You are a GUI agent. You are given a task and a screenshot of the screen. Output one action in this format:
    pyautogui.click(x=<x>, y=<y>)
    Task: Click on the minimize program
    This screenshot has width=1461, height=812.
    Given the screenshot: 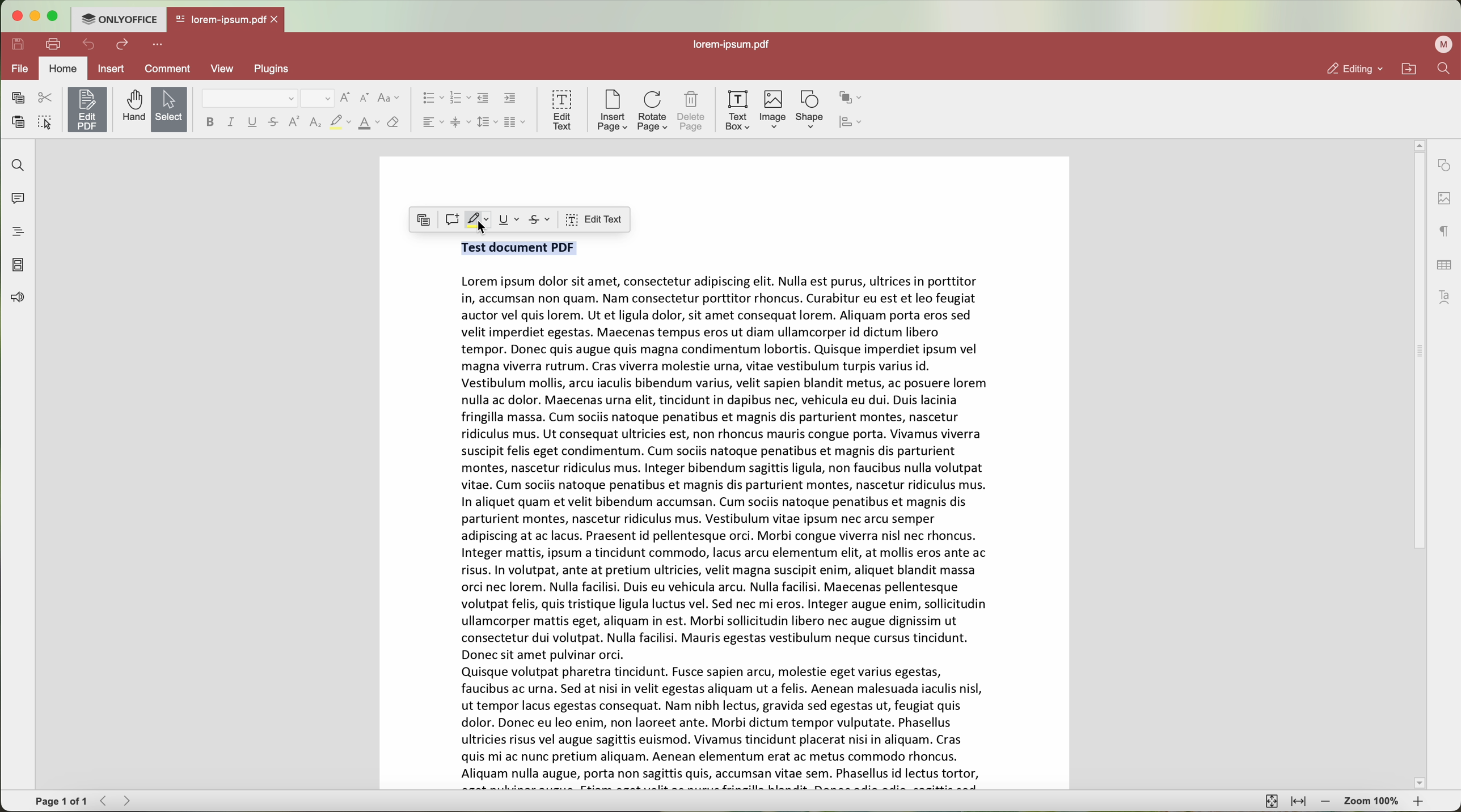 What is the action you would take?
    pyautogui.click(x=37, y=17)
    